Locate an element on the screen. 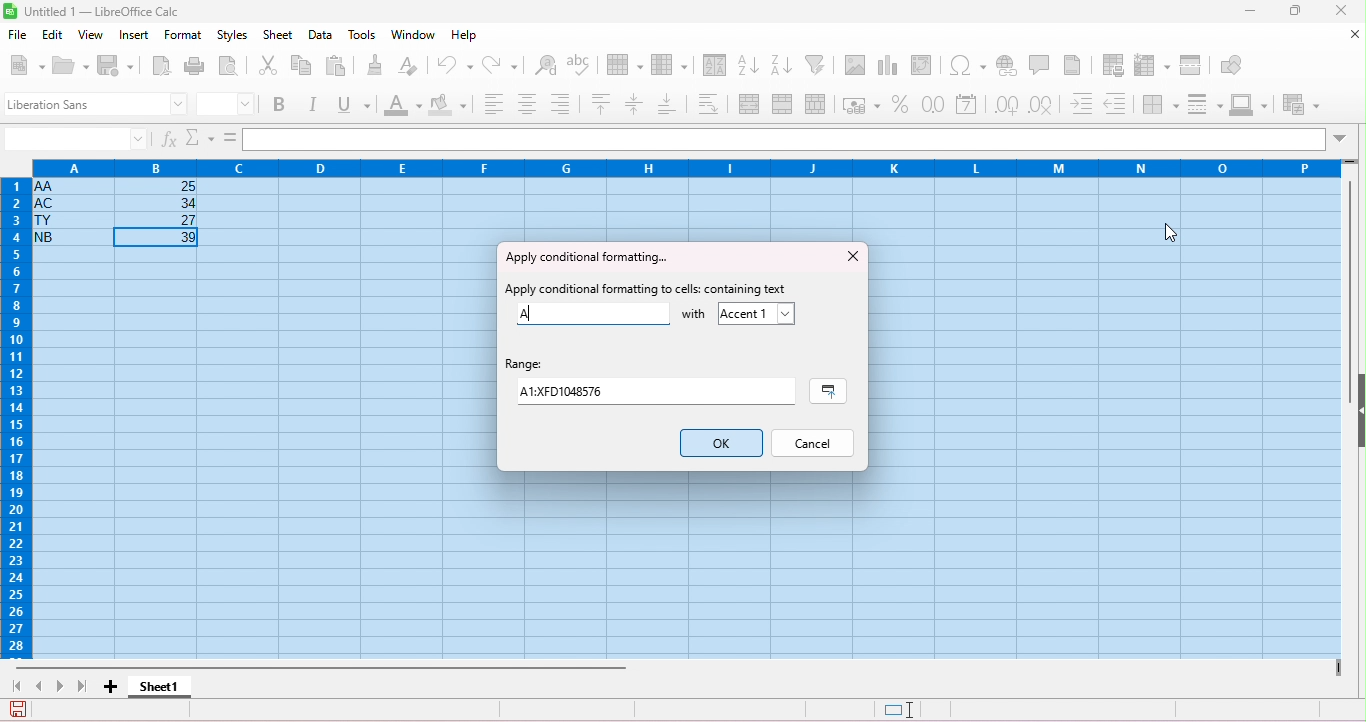 The width and height of the screenshot is (1366, 722). spelling is located at coordinates (581, 65).